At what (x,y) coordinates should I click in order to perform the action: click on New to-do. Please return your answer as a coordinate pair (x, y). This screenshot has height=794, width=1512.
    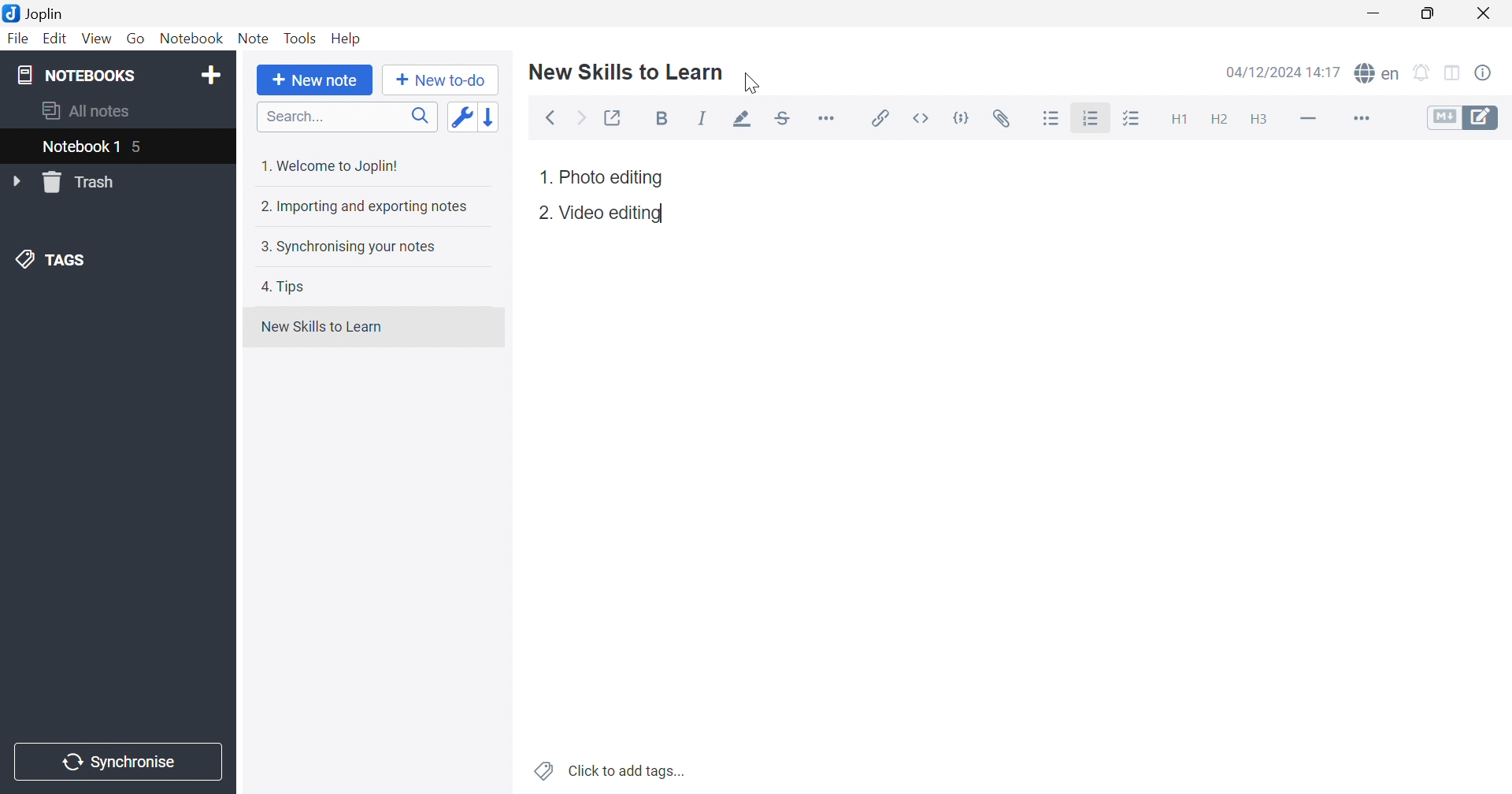
    Looking at the image, I should click on (439, 80).